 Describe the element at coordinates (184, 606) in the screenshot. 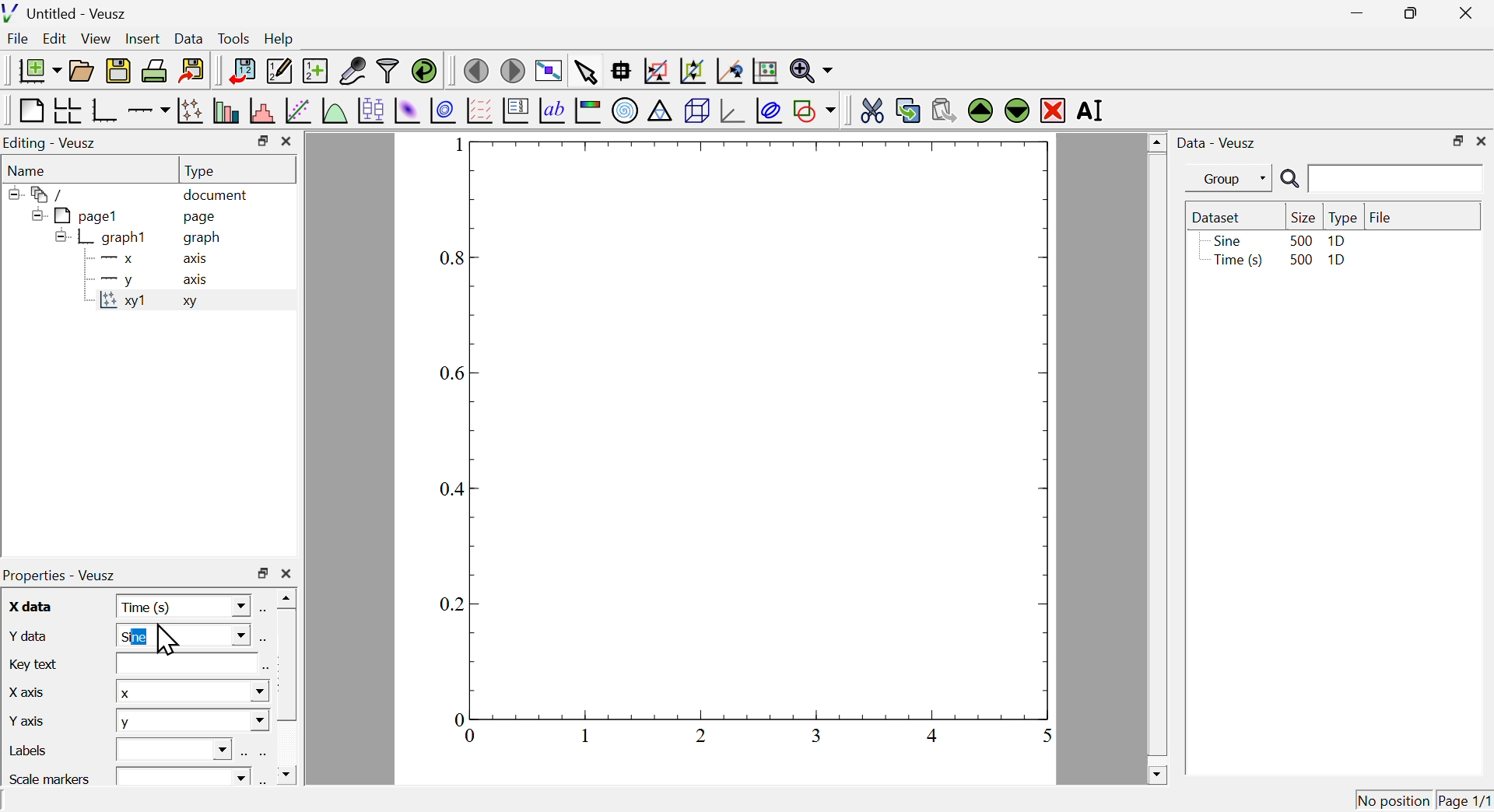

I see `time(s)` at that location.